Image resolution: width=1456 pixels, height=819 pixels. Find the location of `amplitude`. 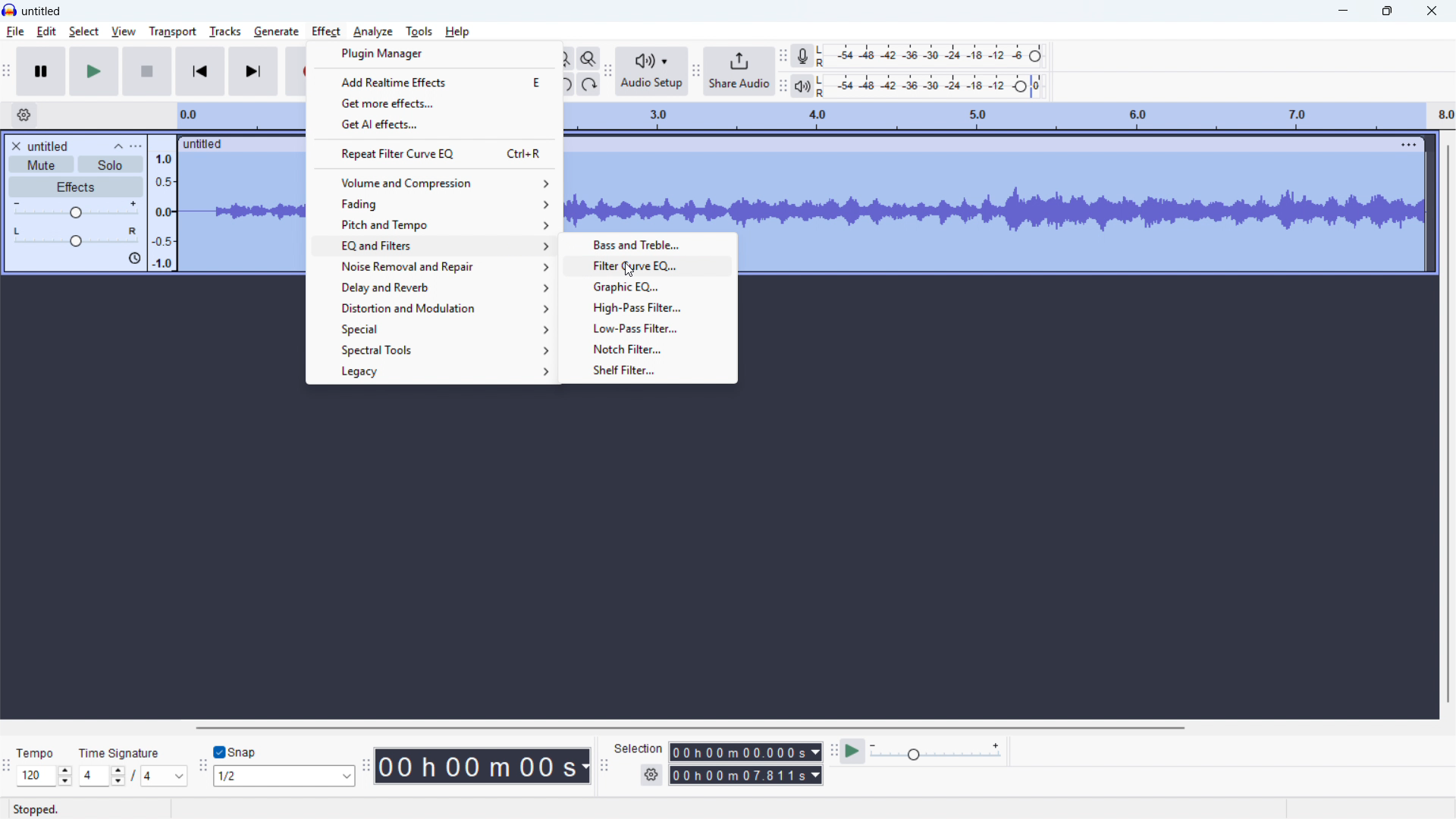

amplitude is located at coordinates (162, 203).